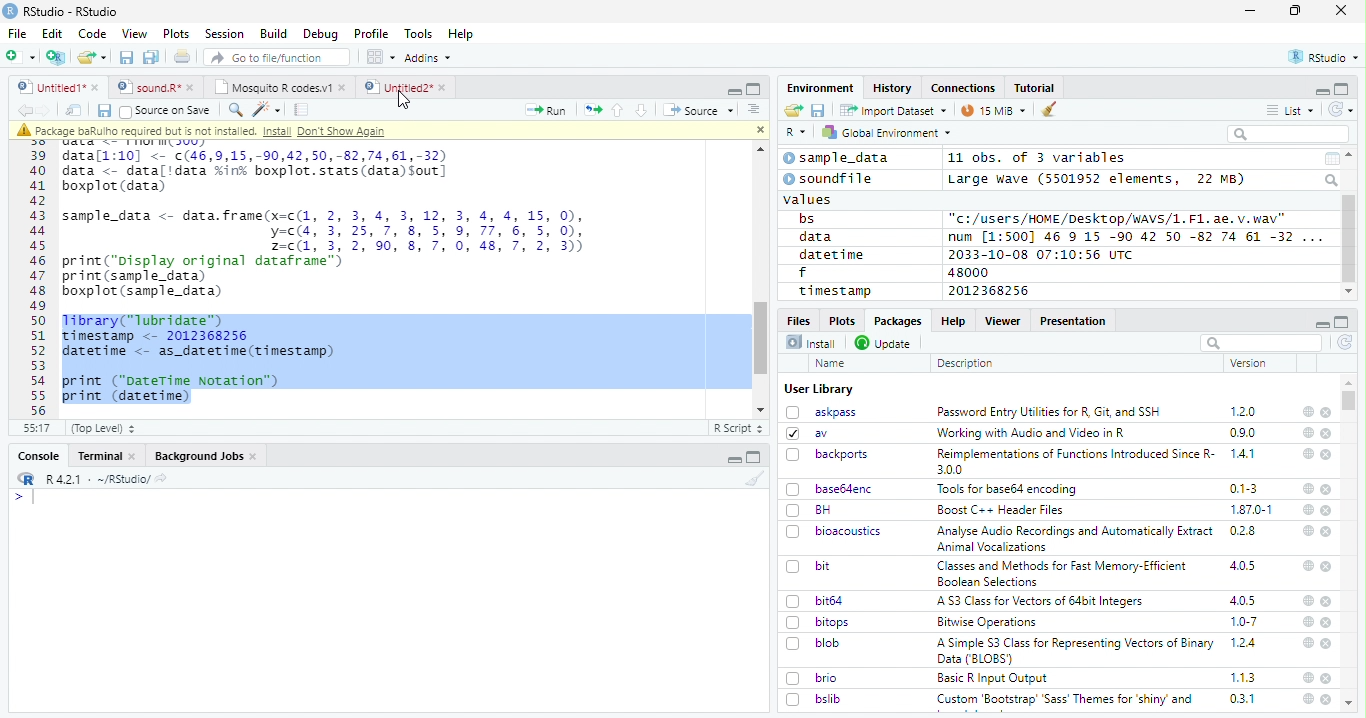  I want to click on minimize, so click(1321, 322).